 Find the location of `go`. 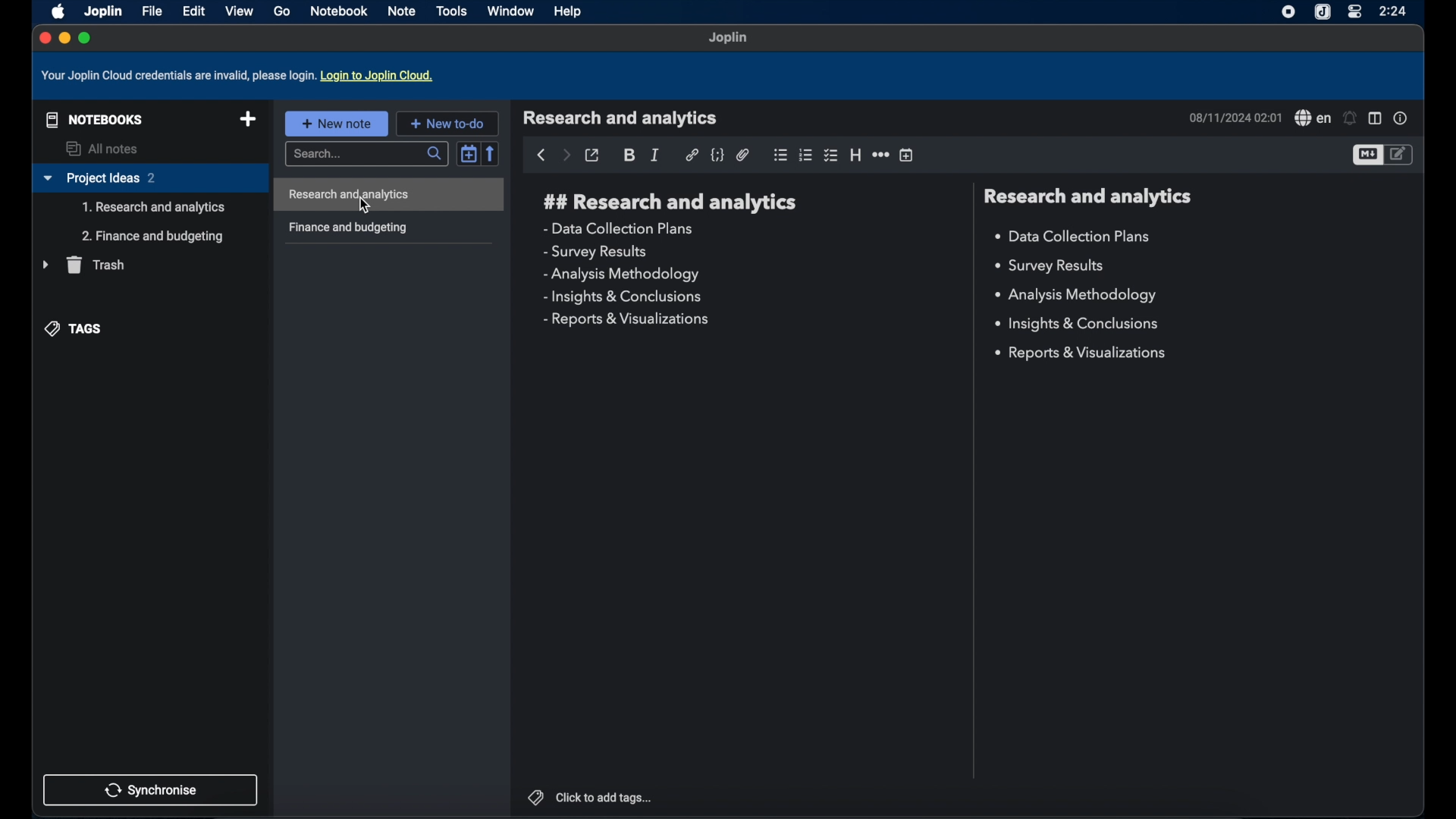

go is located at coordinates (281, 11).